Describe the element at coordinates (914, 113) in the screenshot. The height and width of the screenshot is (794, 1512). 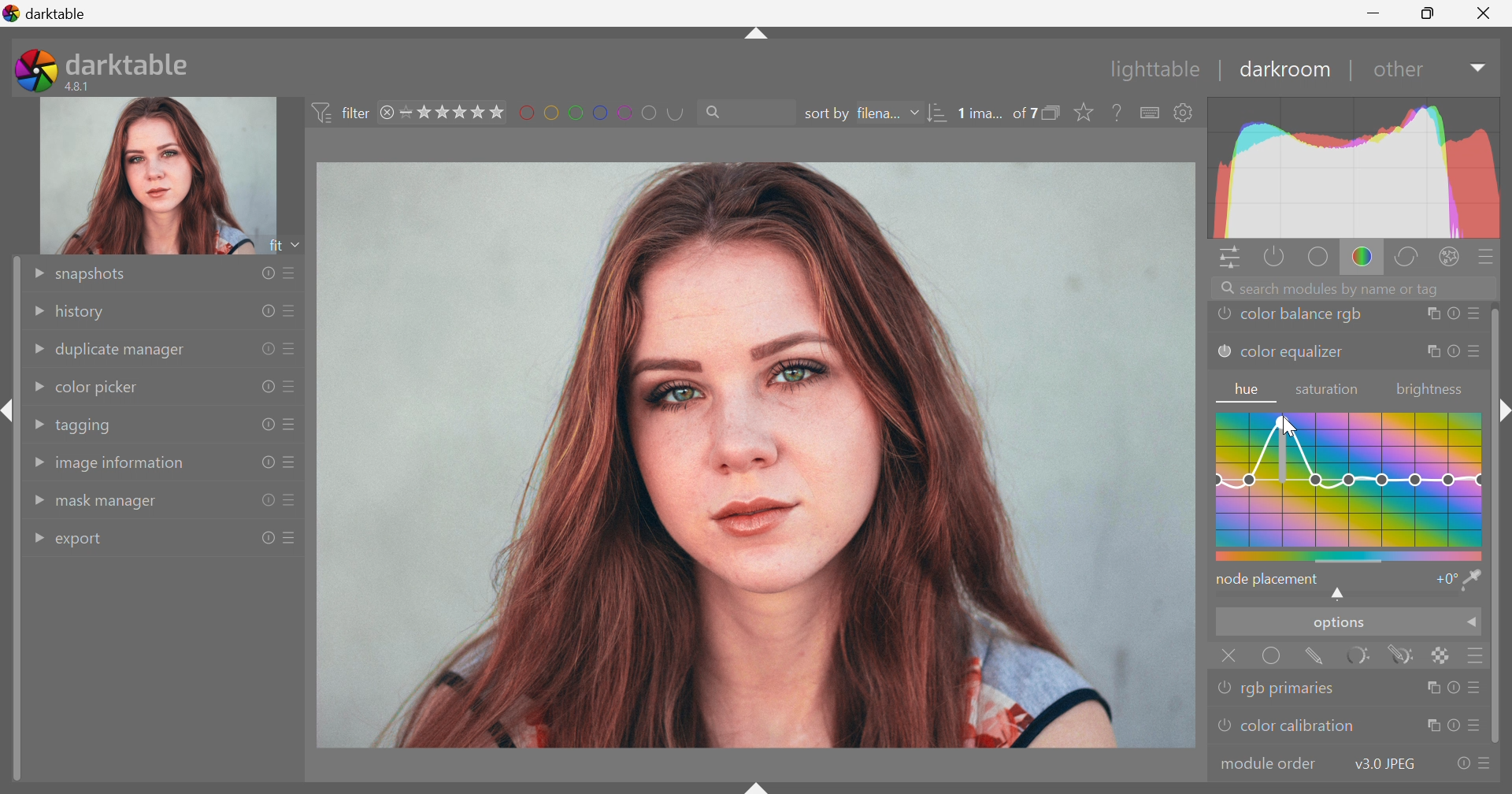
I see `Drop Down` at that location.